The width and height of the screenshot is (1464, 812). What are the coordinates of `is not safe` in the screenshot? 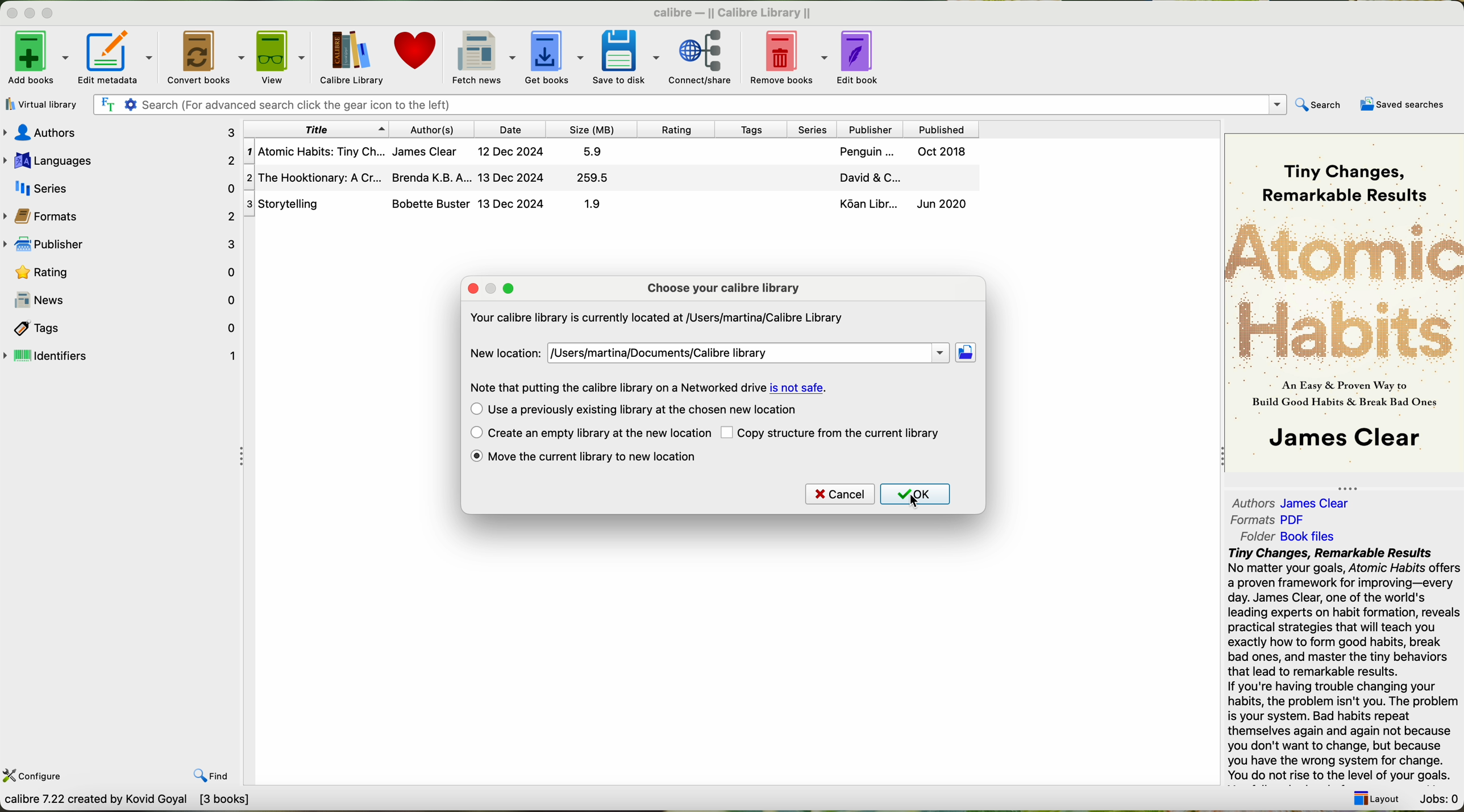 It's located at (798, 388).